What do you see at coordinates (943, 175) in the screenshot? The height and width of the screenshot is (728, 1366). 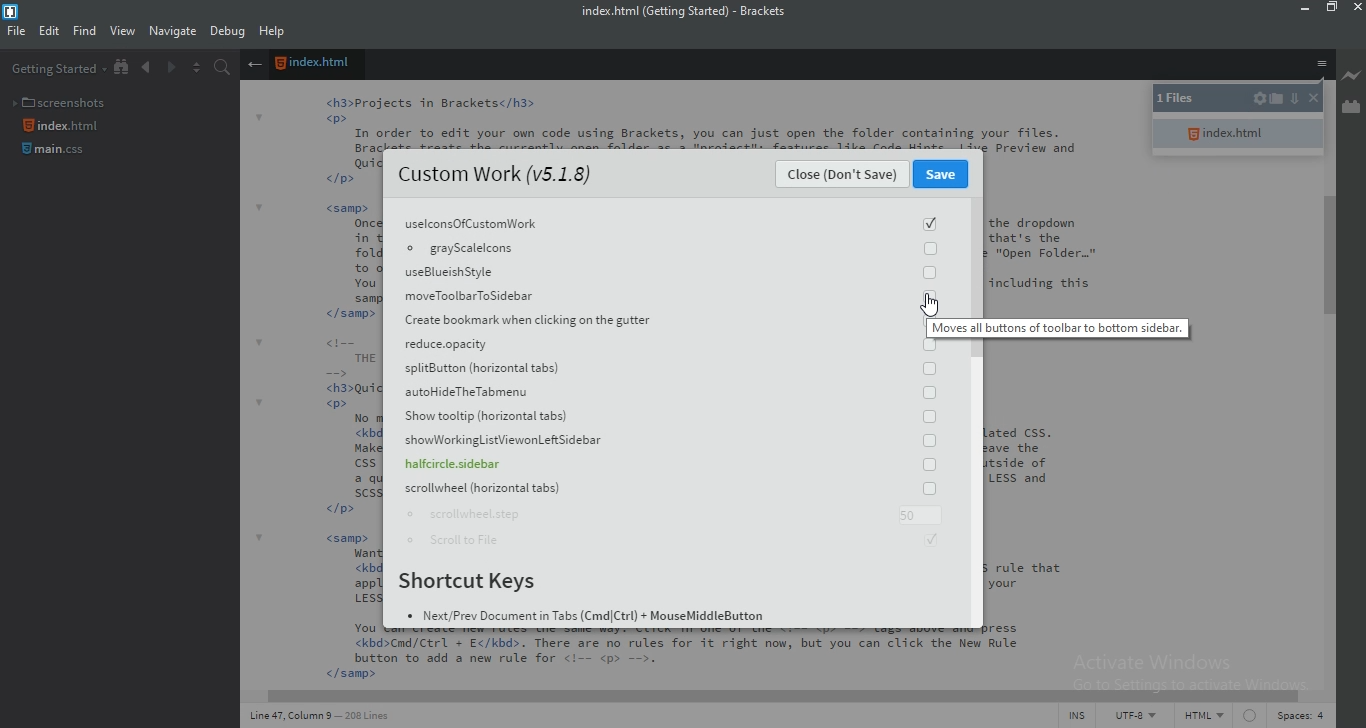 I see `save` at bounding box center [943, 175].